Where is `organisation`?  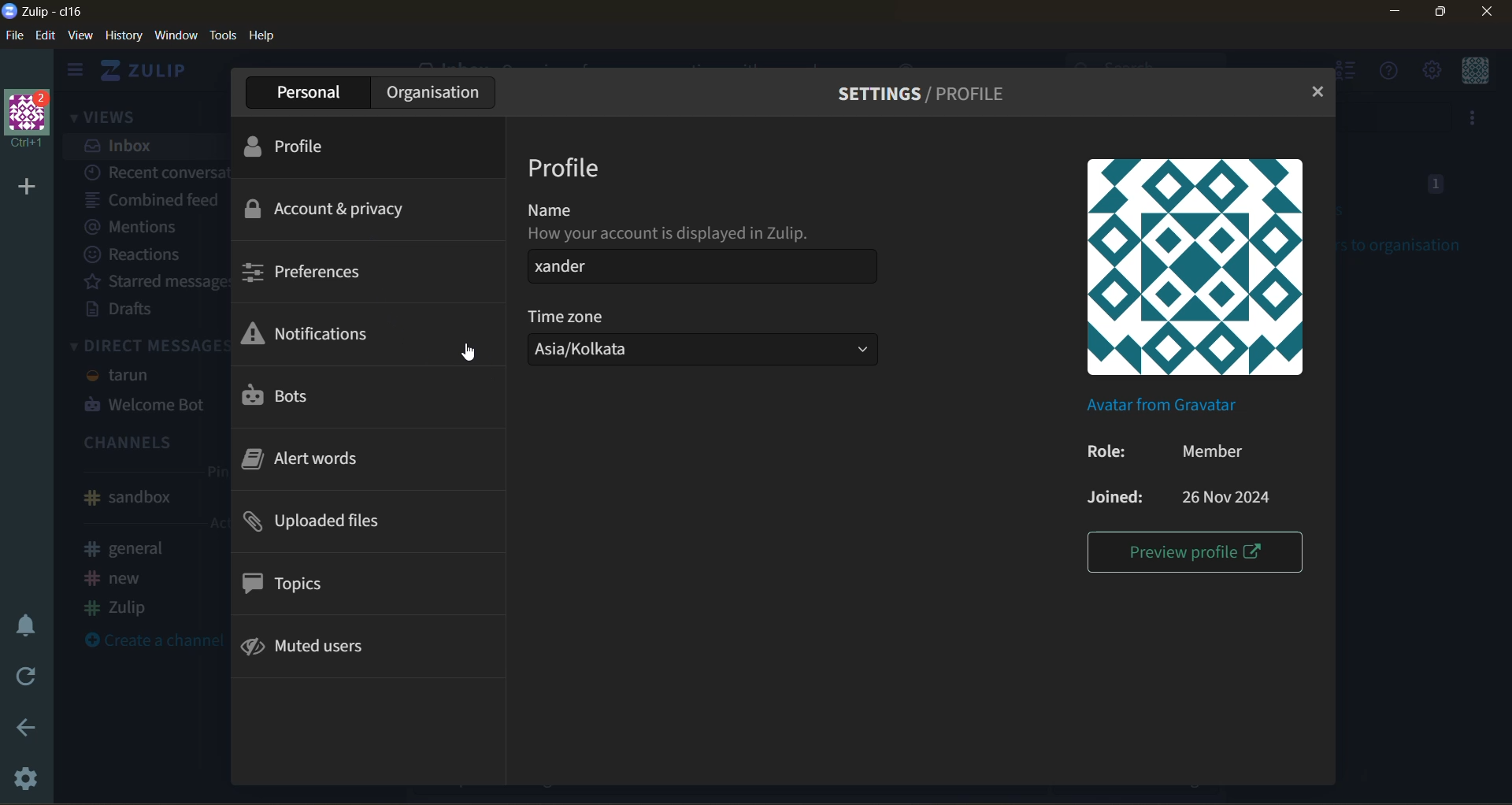
organisation is located at coordinates (430, 93).